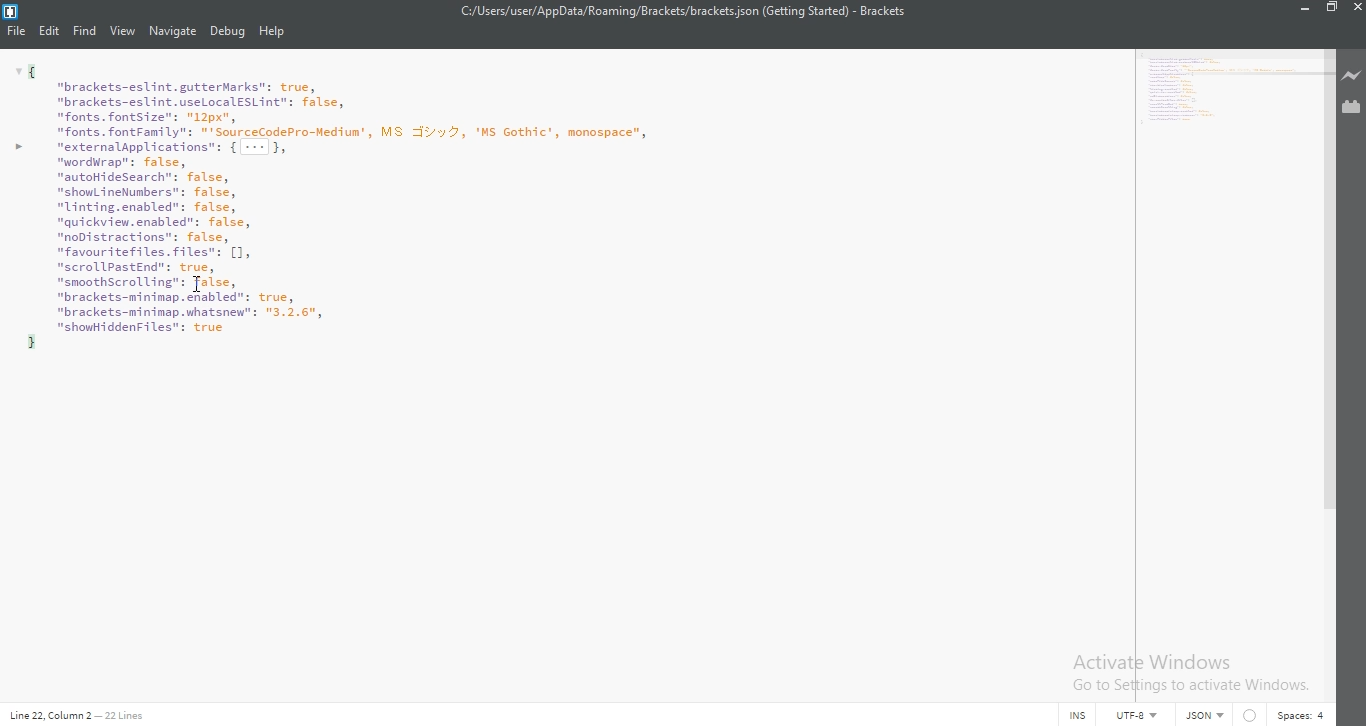  What do you see at coordinates (199, 287) in the screenshot?
I see `insertion cursor` at bounding box center [199, 287].